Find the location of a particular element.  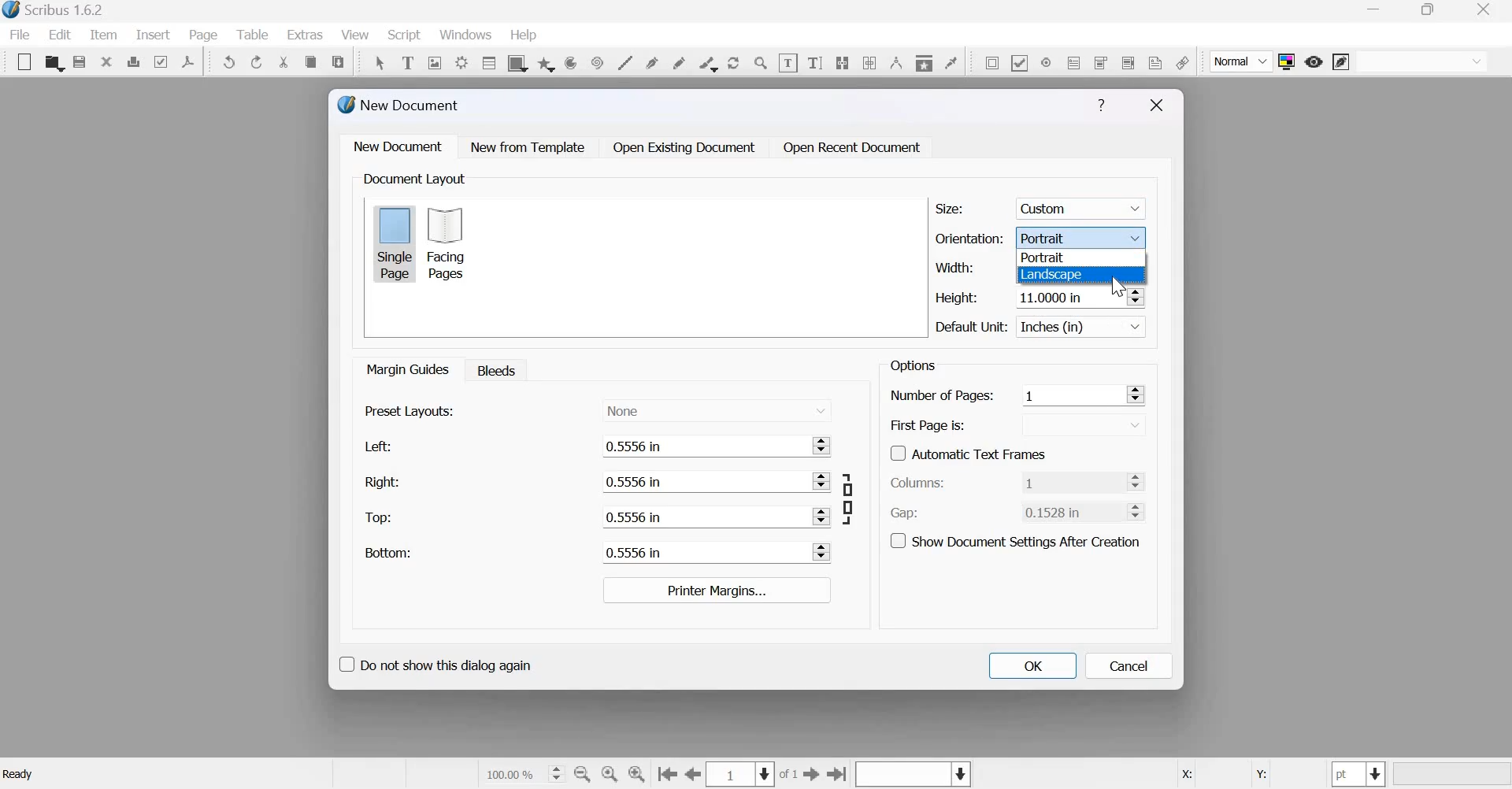

Increase and Decrease is located at coordinates (1134, 394).